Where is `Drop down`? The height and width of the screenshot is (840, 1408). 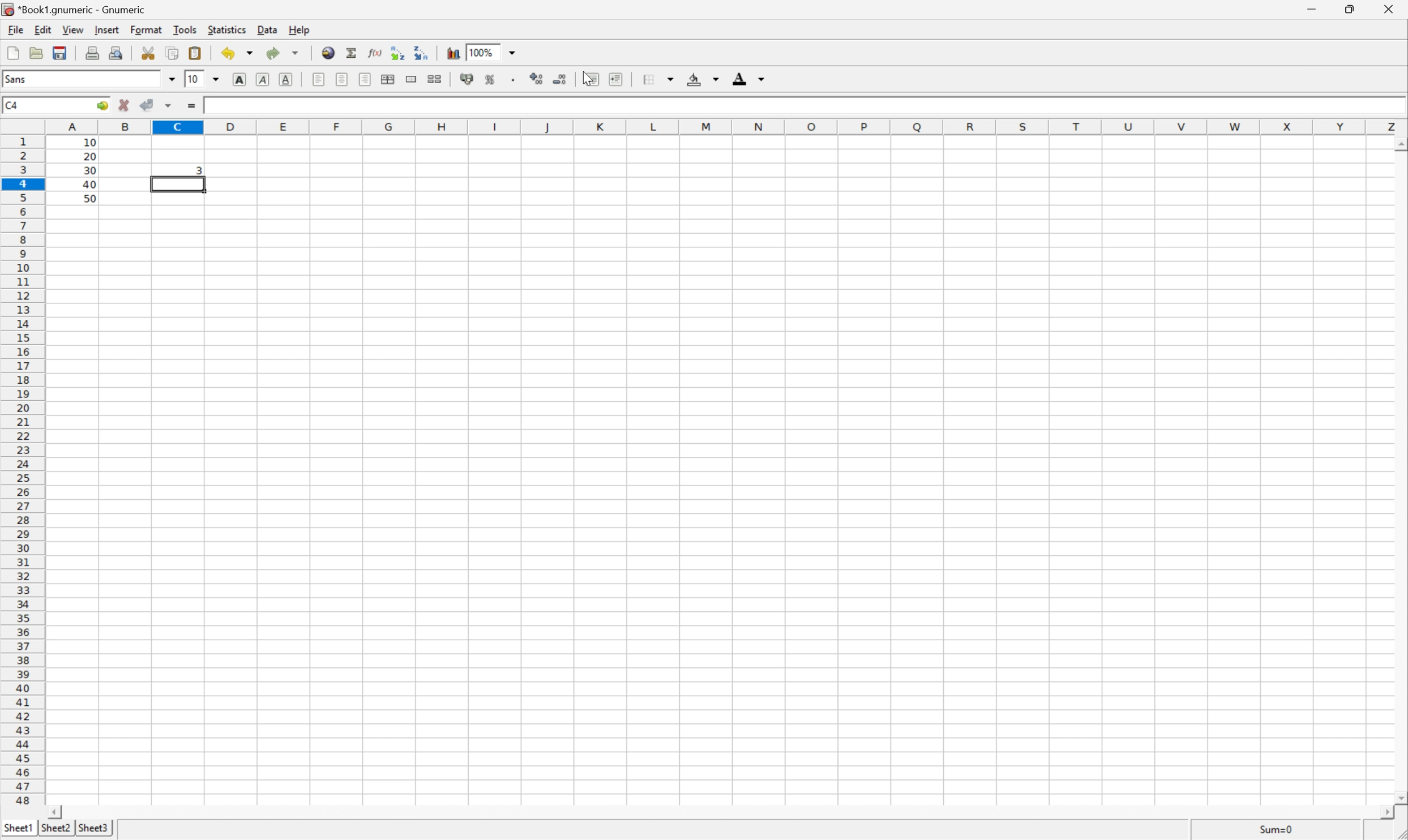
Drop down is located at coordinates (716, 79).